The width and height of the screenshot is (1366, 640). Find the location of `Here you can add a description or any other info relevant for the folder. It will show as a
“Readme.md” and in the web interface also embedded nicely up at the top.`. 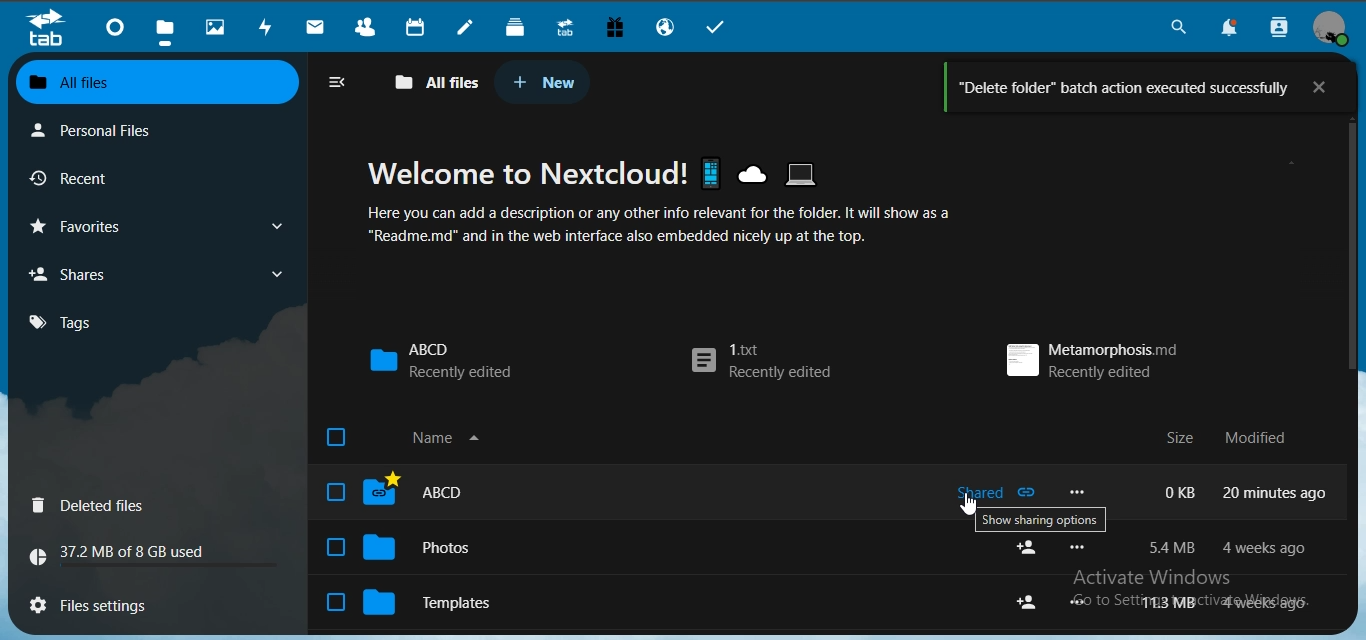

Here you can add a description or any other info relevant for the folder. It will show as a
“Readme.md” and in the web interface also embedded nicely up at the top. is located at coordinates (697, 227).